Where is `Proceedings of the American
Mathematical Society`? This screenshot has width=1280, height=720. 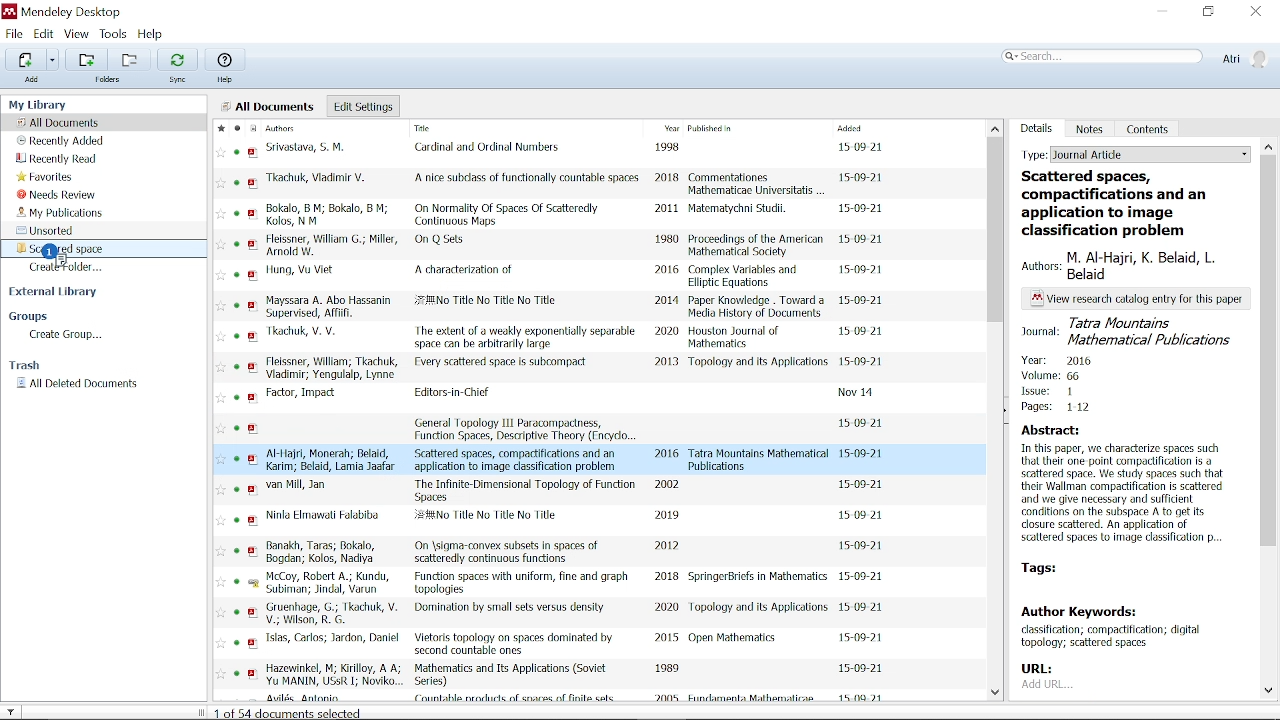
Proceedings of the American
Mathematical Society is located at coordinates (756, 246).